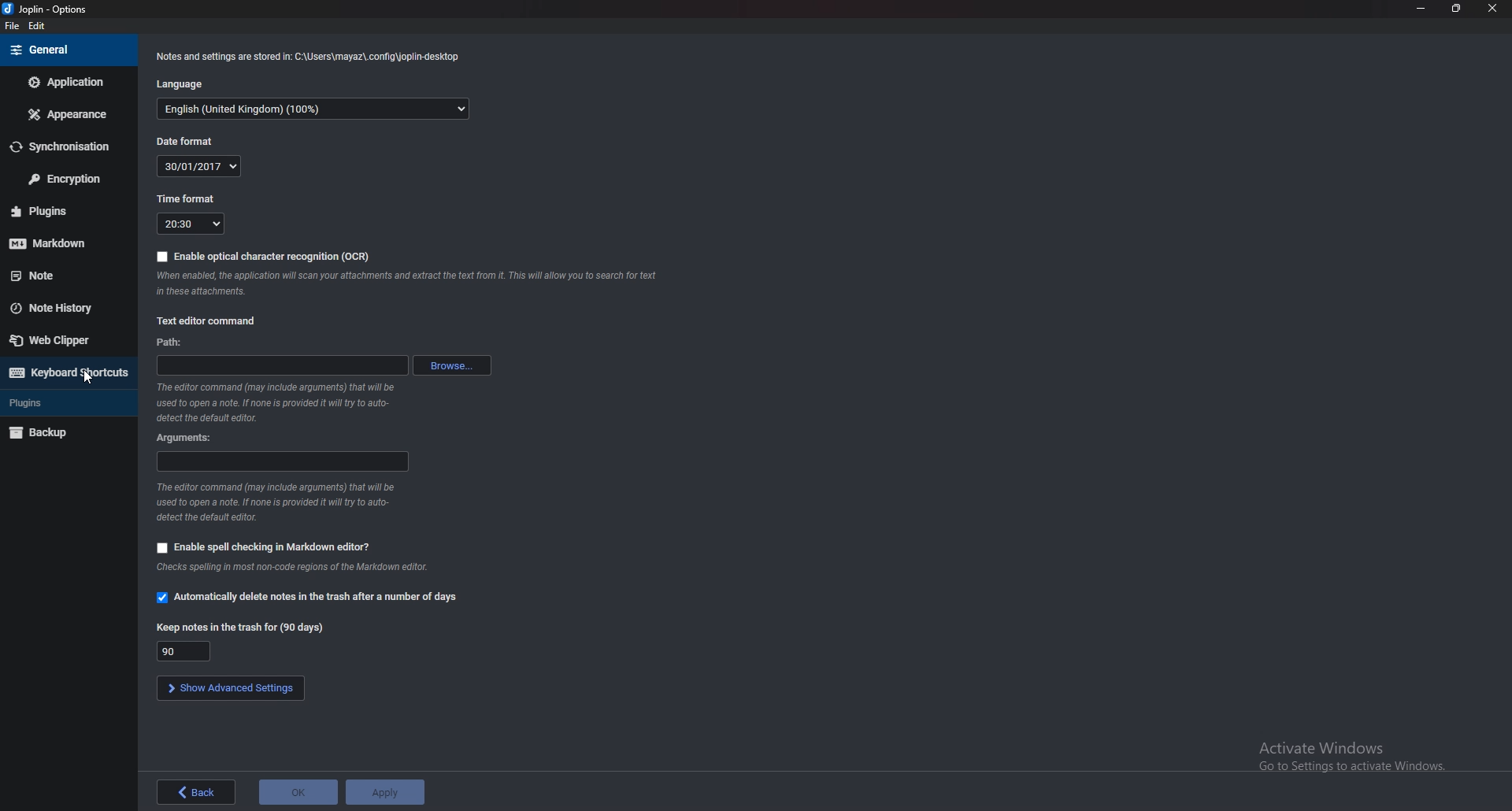 This screenshot has height=811, width=1512. What do you see at coordinates (300, 793) in the screenshot?
I see `ok` at bounding box center [300, 793].